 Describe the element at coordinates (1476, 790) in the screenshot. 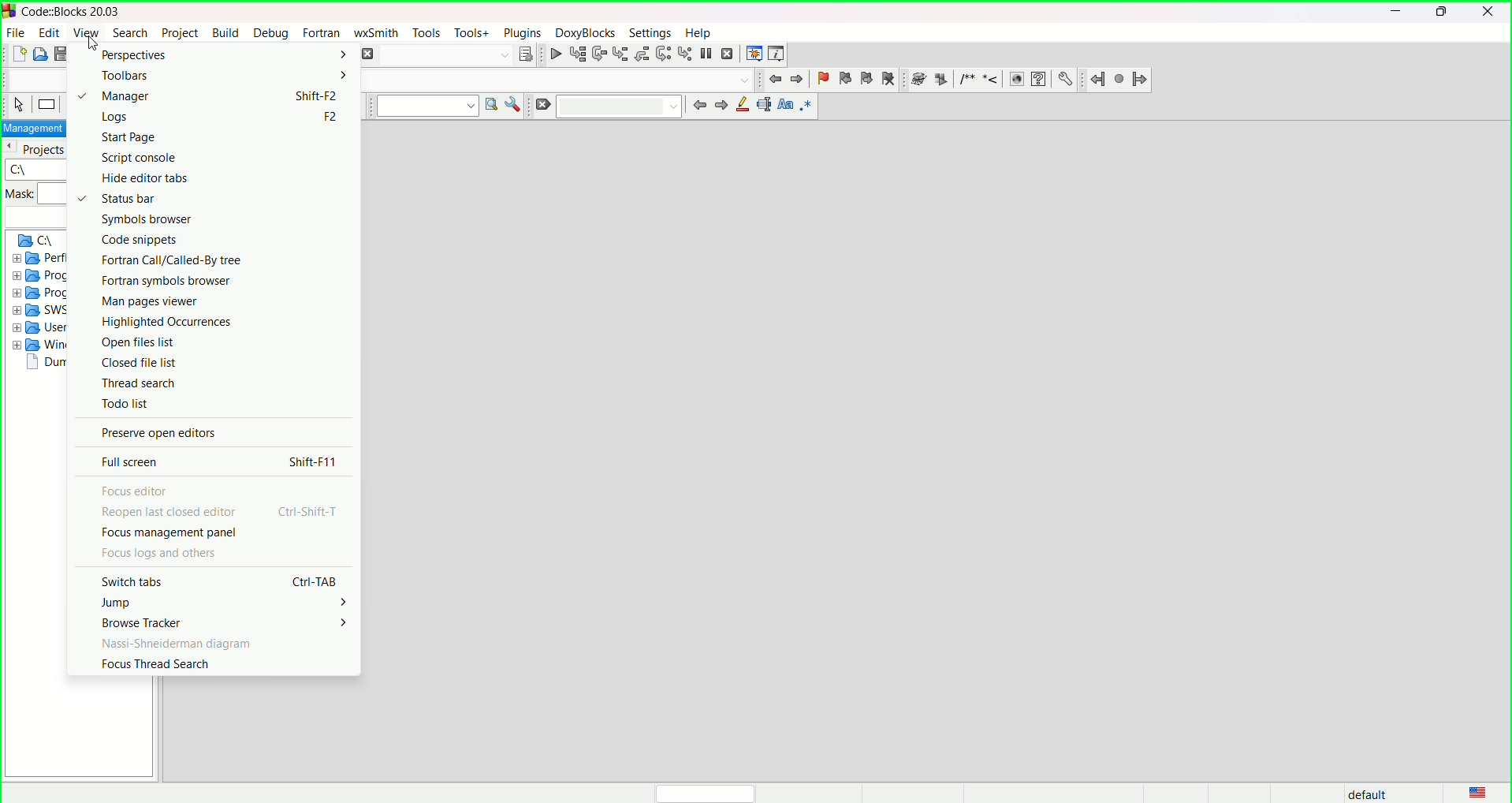

I see `language` at that location.